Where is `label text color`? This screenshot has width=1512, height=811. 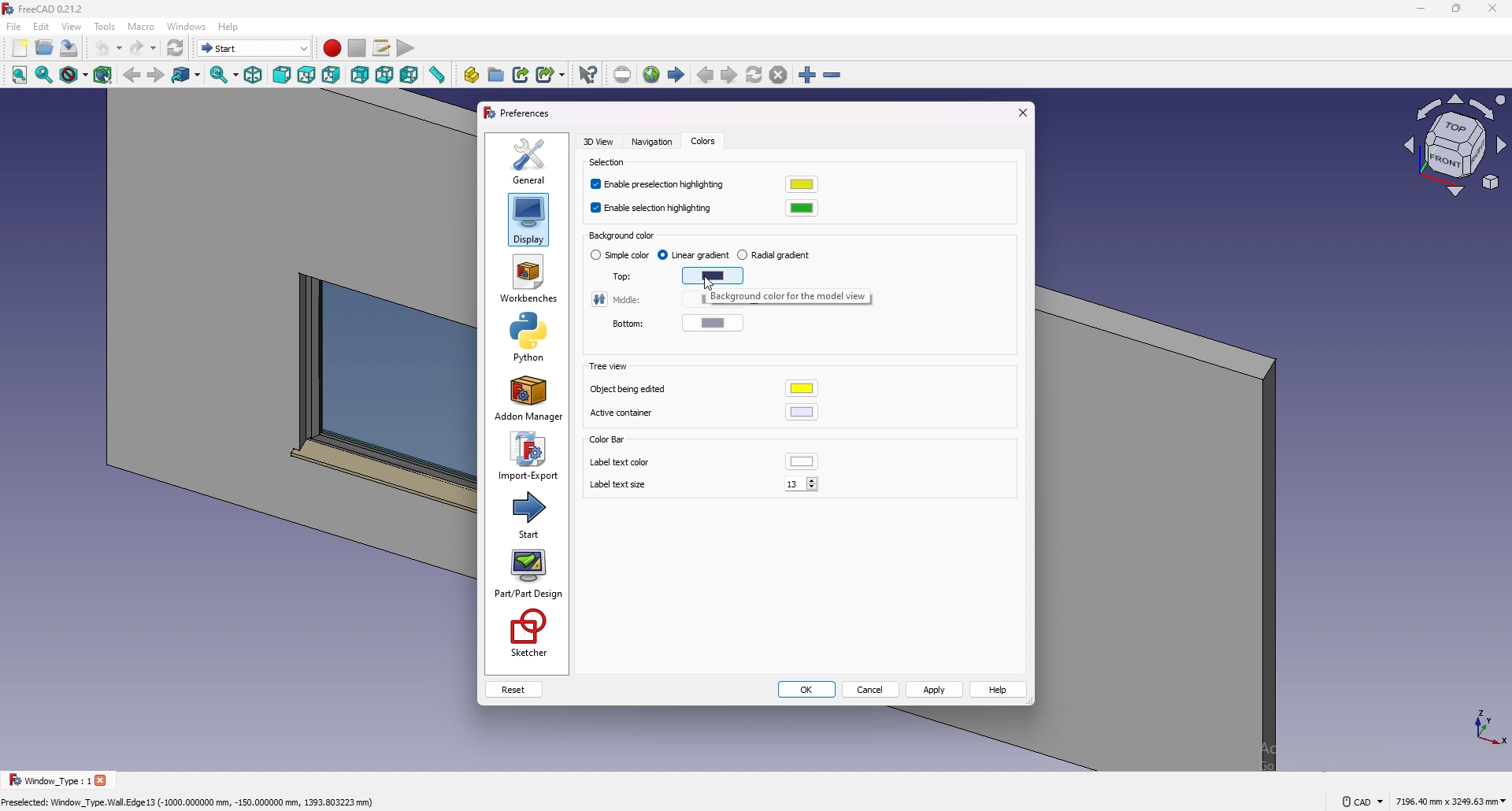 label text color is located at coordinates (621, 462).